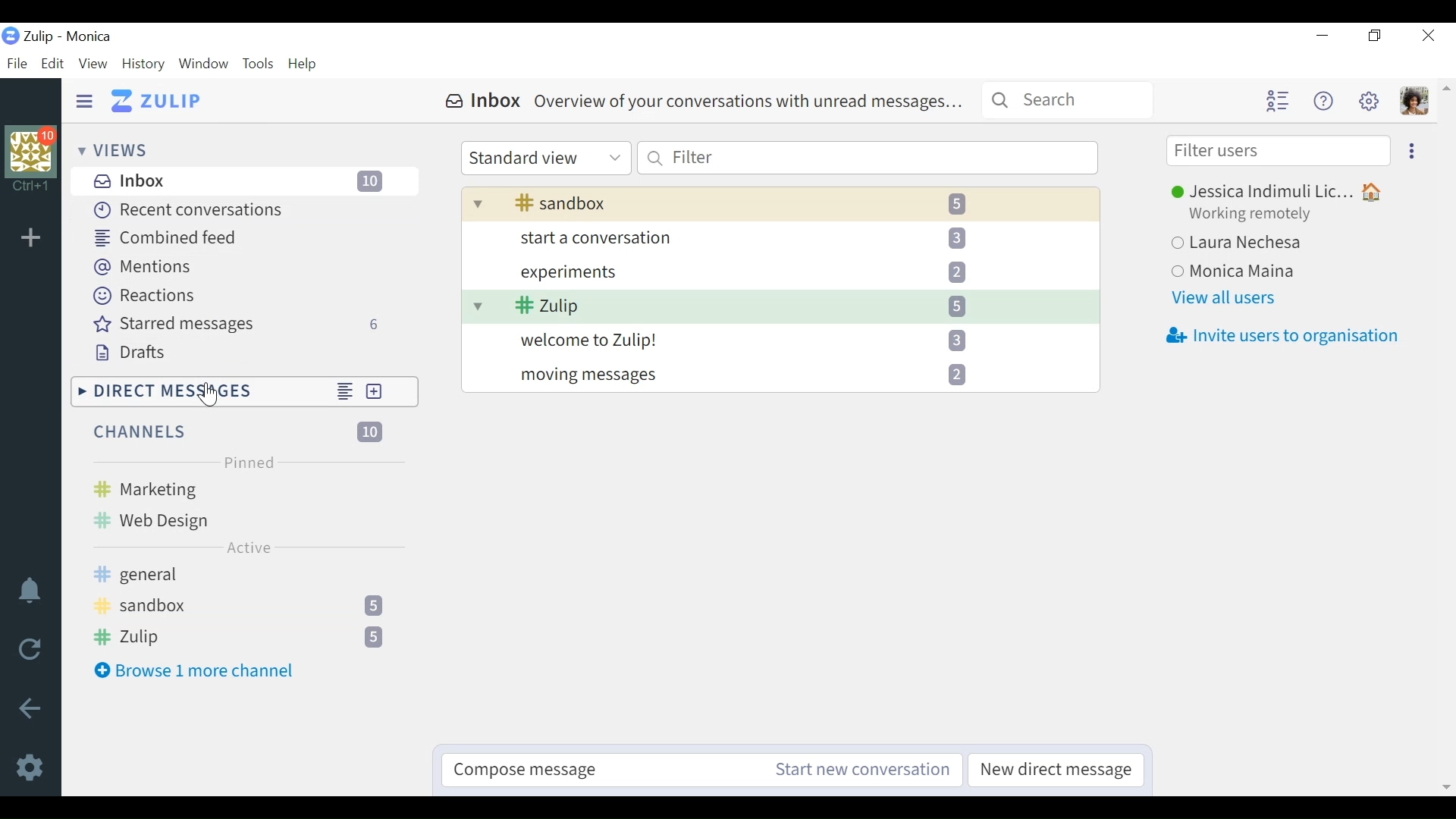  Describe the element at coordinates (28, 591) in the screenshot. I see `notification` at that location.